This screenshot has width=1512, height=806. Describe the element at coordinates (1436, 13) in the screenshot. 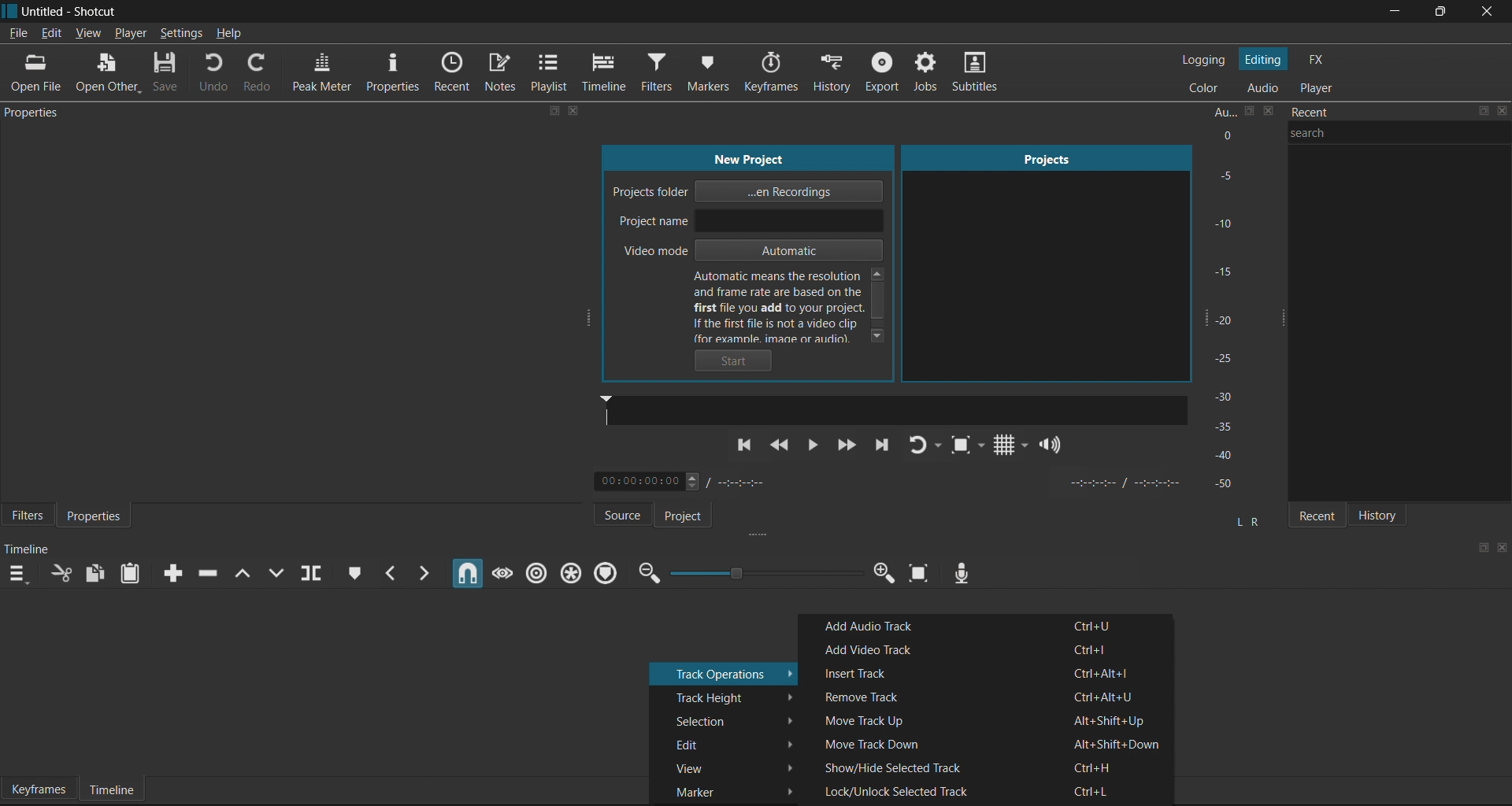

I see `maximize` at that location.